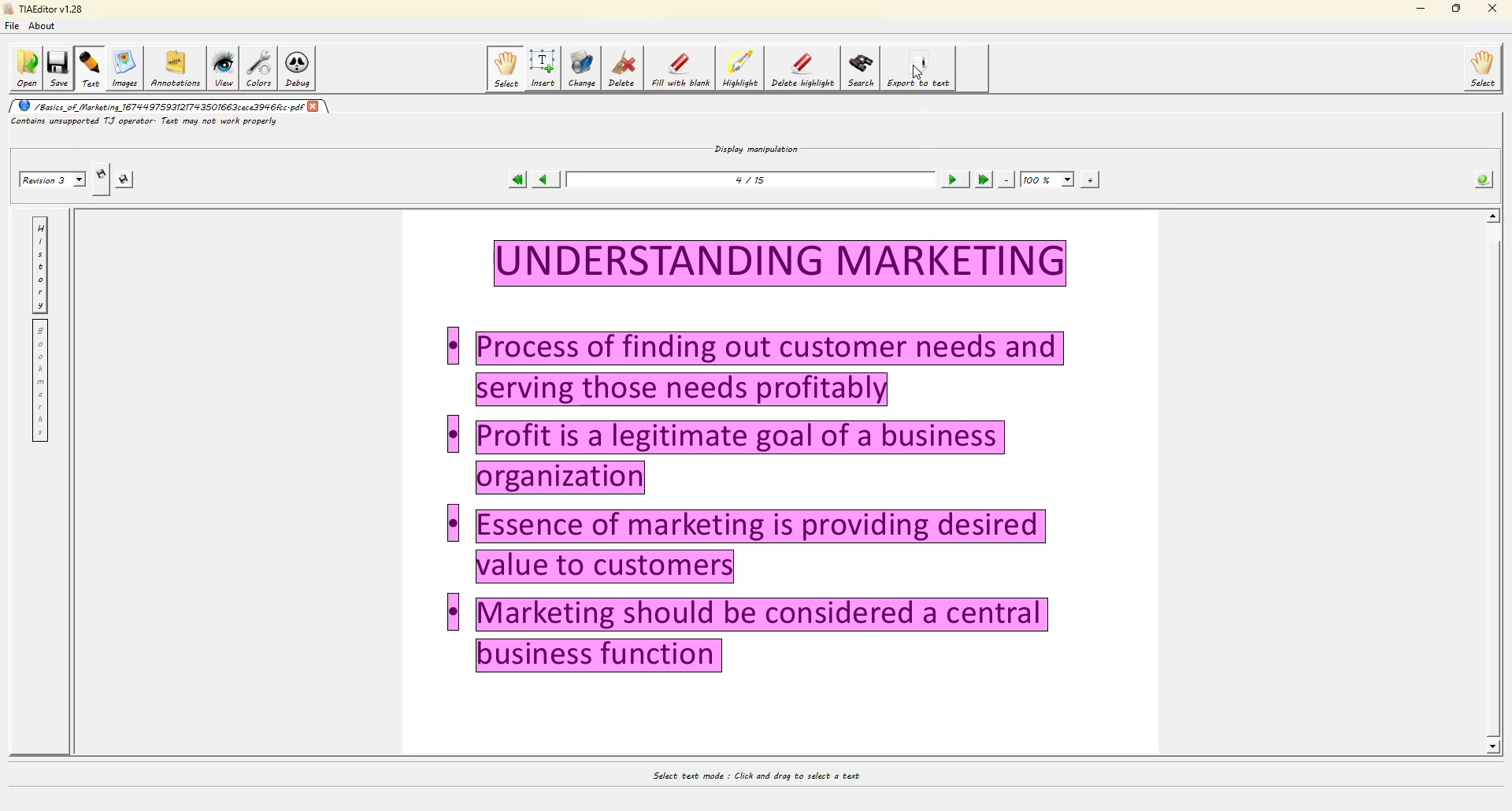 The image size is (1512, 811). What do you see at coordinates (683, 66) in the screenshot?
I see `fill with blank` at bounding box center [683, 66].